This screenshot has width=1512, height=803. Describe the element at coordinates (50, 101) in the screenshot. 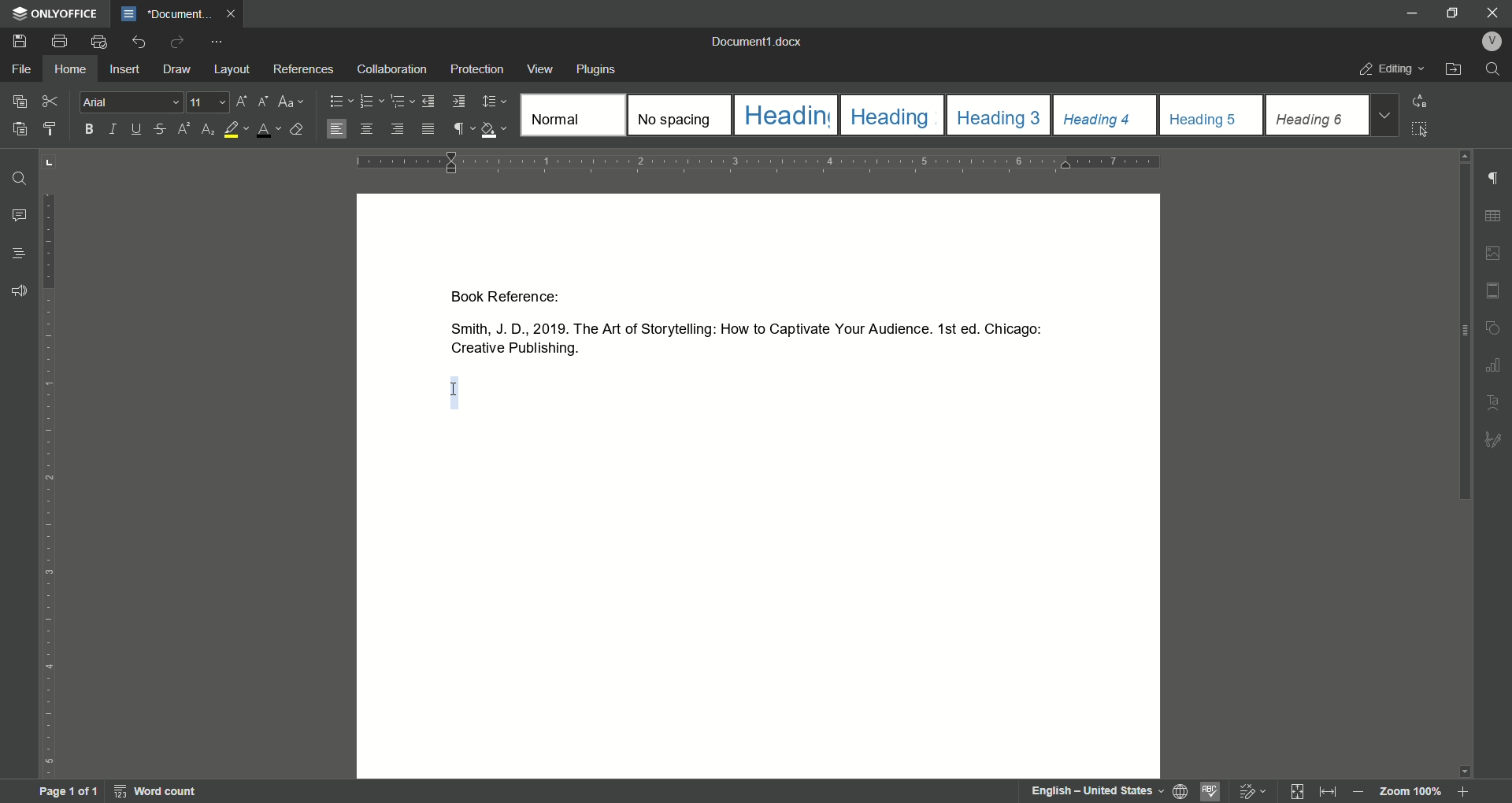

I see `cut` at that location.